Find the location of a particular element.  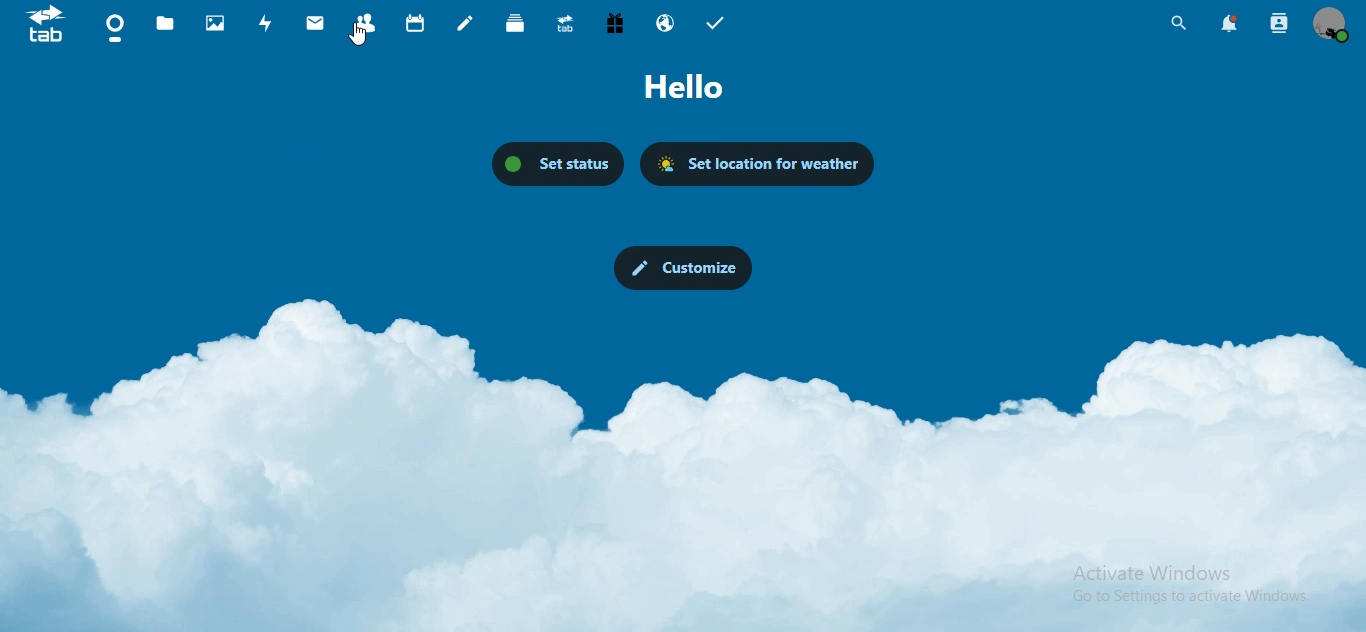

photos is located at coordinates (217, 22).